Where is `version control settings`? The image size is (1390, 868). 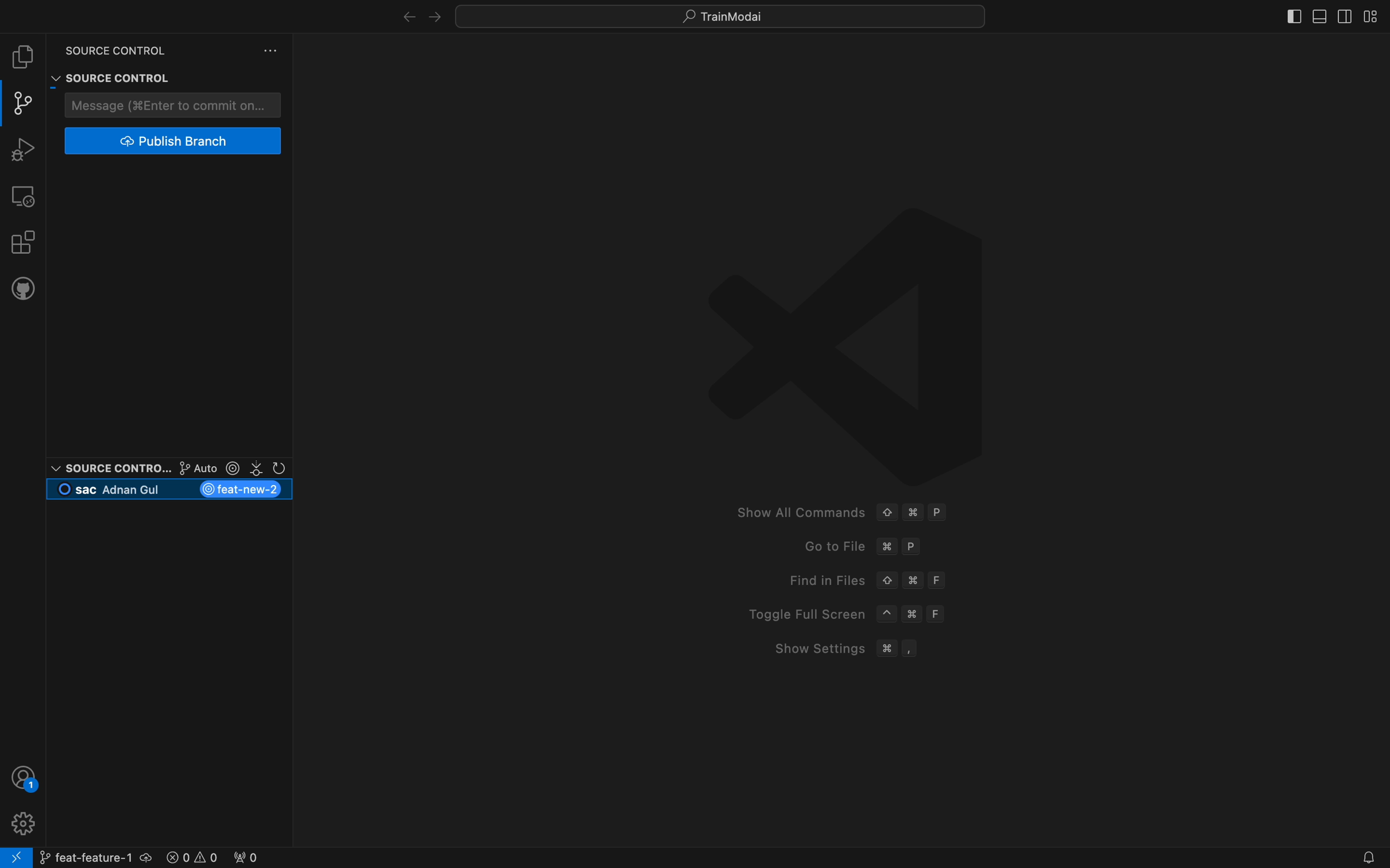 version control settings is located at coordinates (272, 51).